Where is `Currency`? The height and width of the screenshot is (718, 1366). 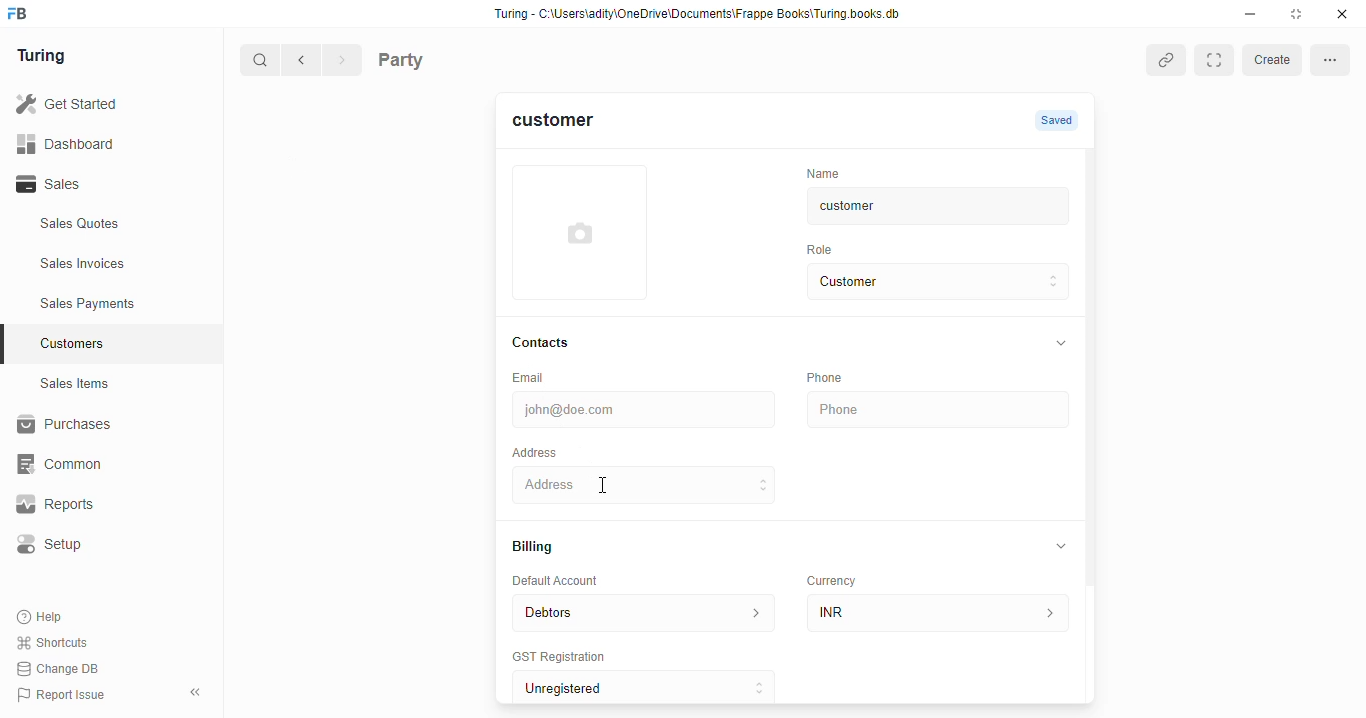 Currency is located at coordinates (830, 581).